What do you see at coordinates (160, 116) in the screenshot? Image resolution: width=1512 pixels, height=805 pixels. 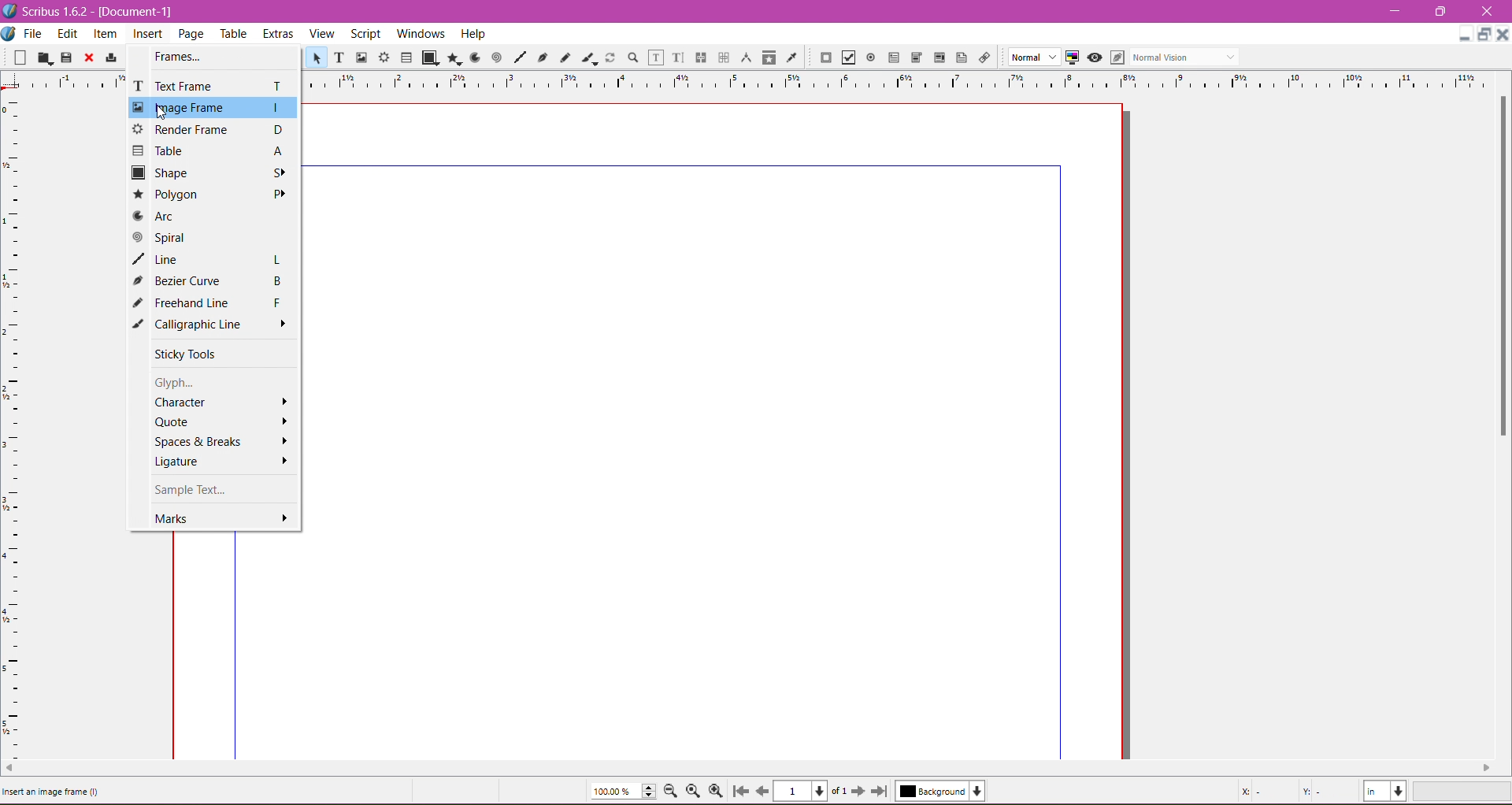 I see `Cursor` at bounding box center [160, 116].